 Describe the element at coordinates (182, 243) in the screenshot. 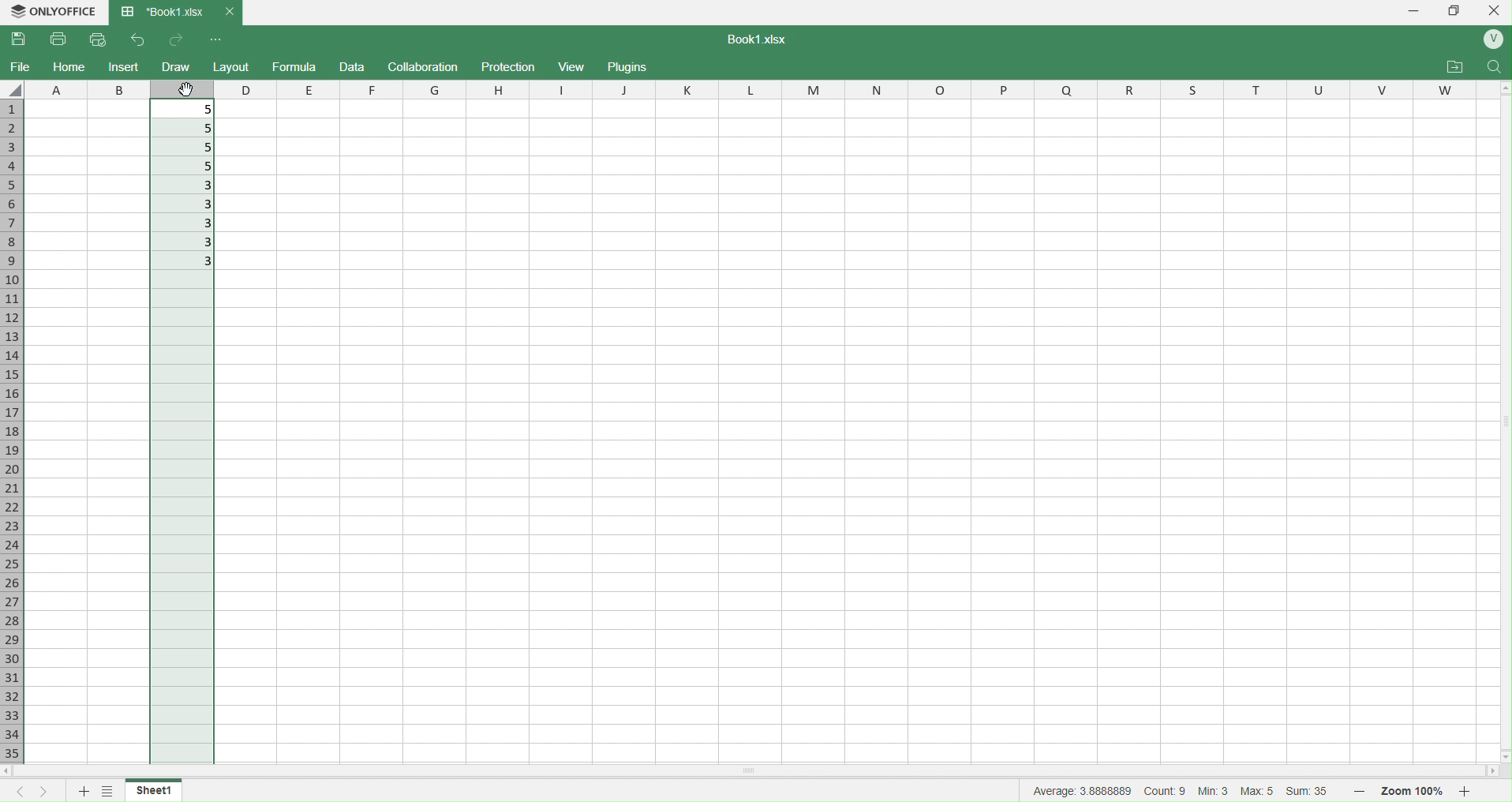

I see `3` at that location.